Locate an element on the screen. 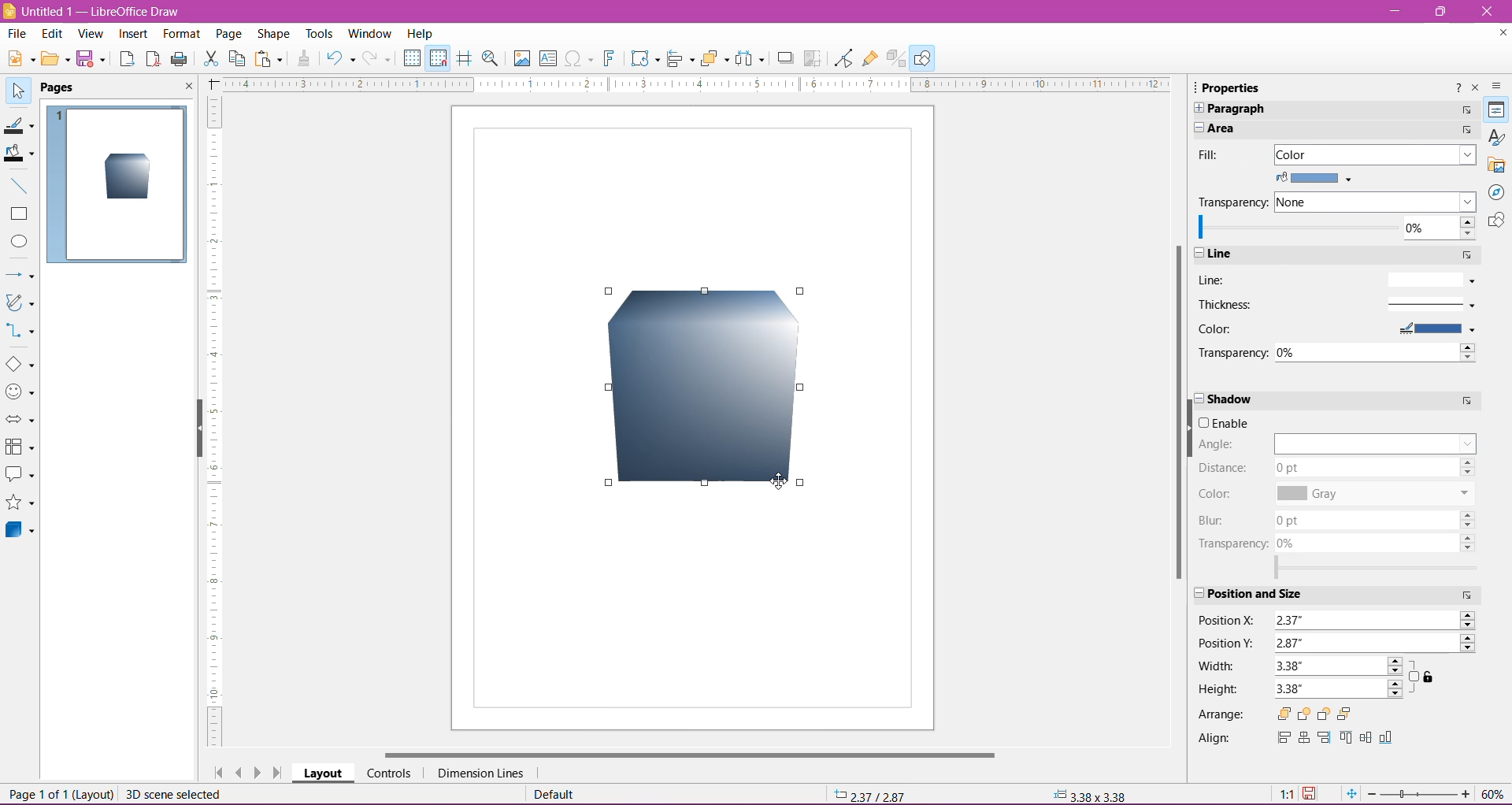 This screenshot has width=1512, height=805. Insert Line is located at coordinates (18, 185).